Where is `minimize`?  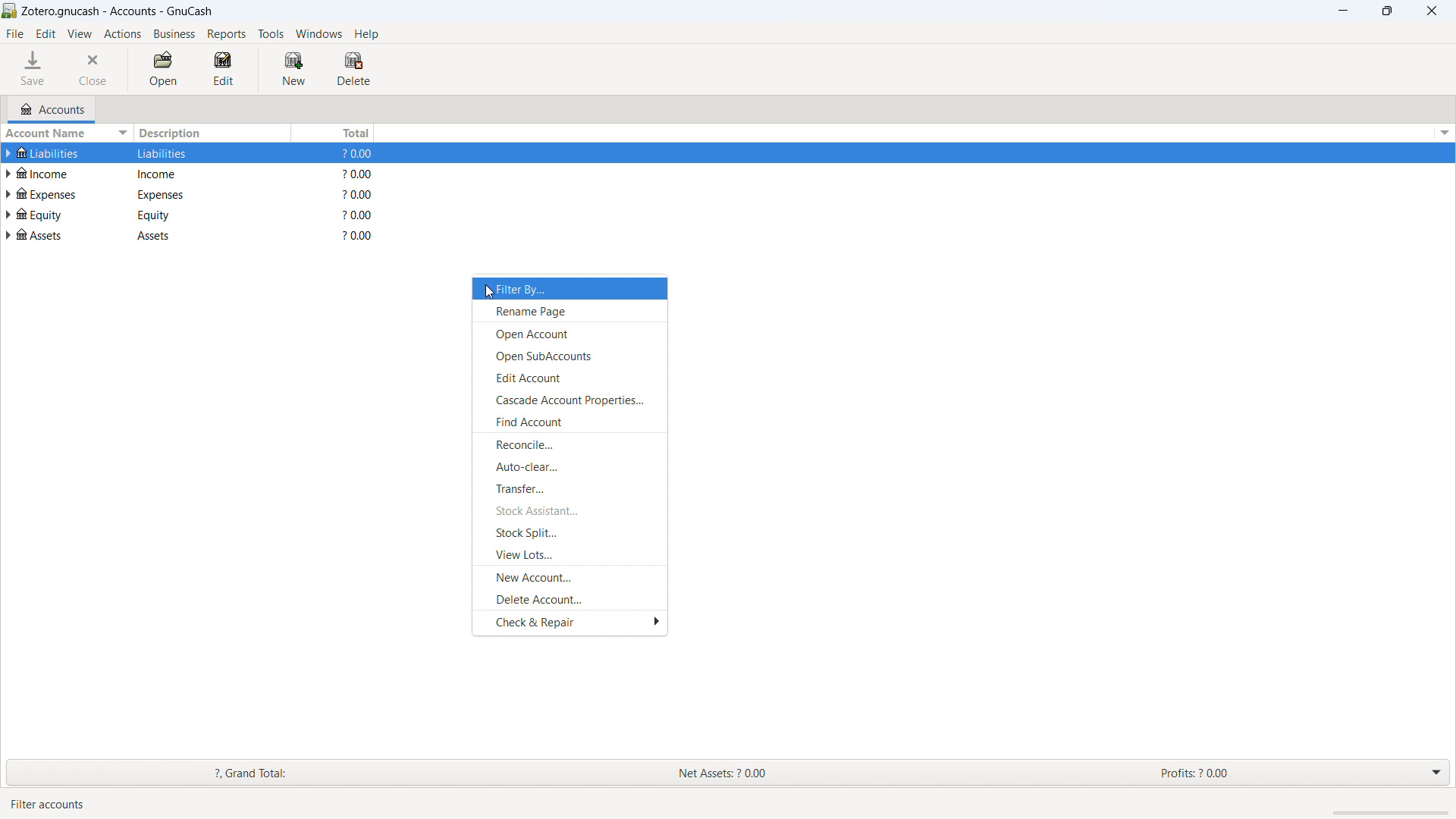 minimize is located at coordinates (1341, 10).